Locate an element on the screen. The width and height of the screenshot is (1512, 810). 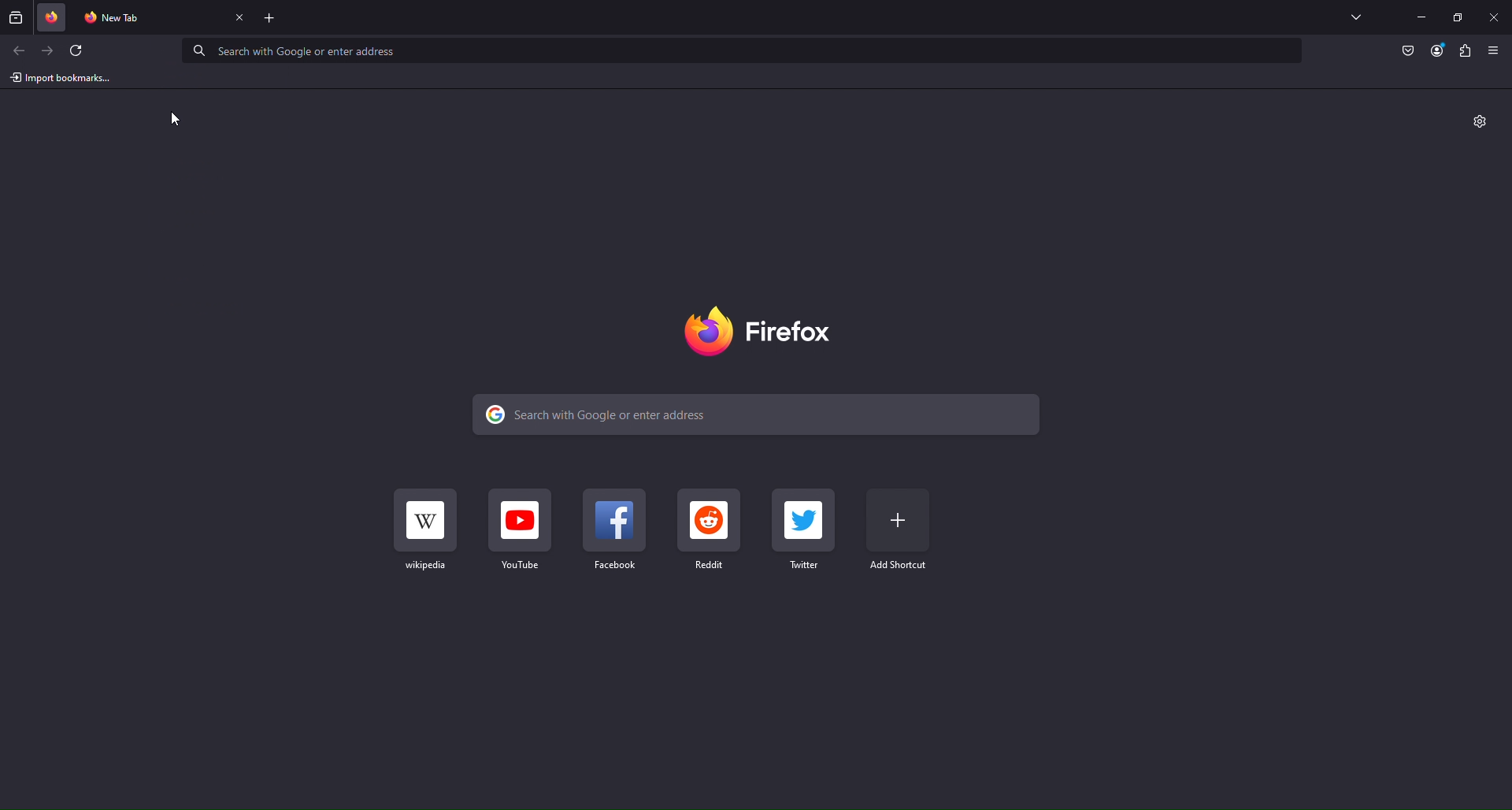
Show Application Menu is located at coordinates (1495, 50).